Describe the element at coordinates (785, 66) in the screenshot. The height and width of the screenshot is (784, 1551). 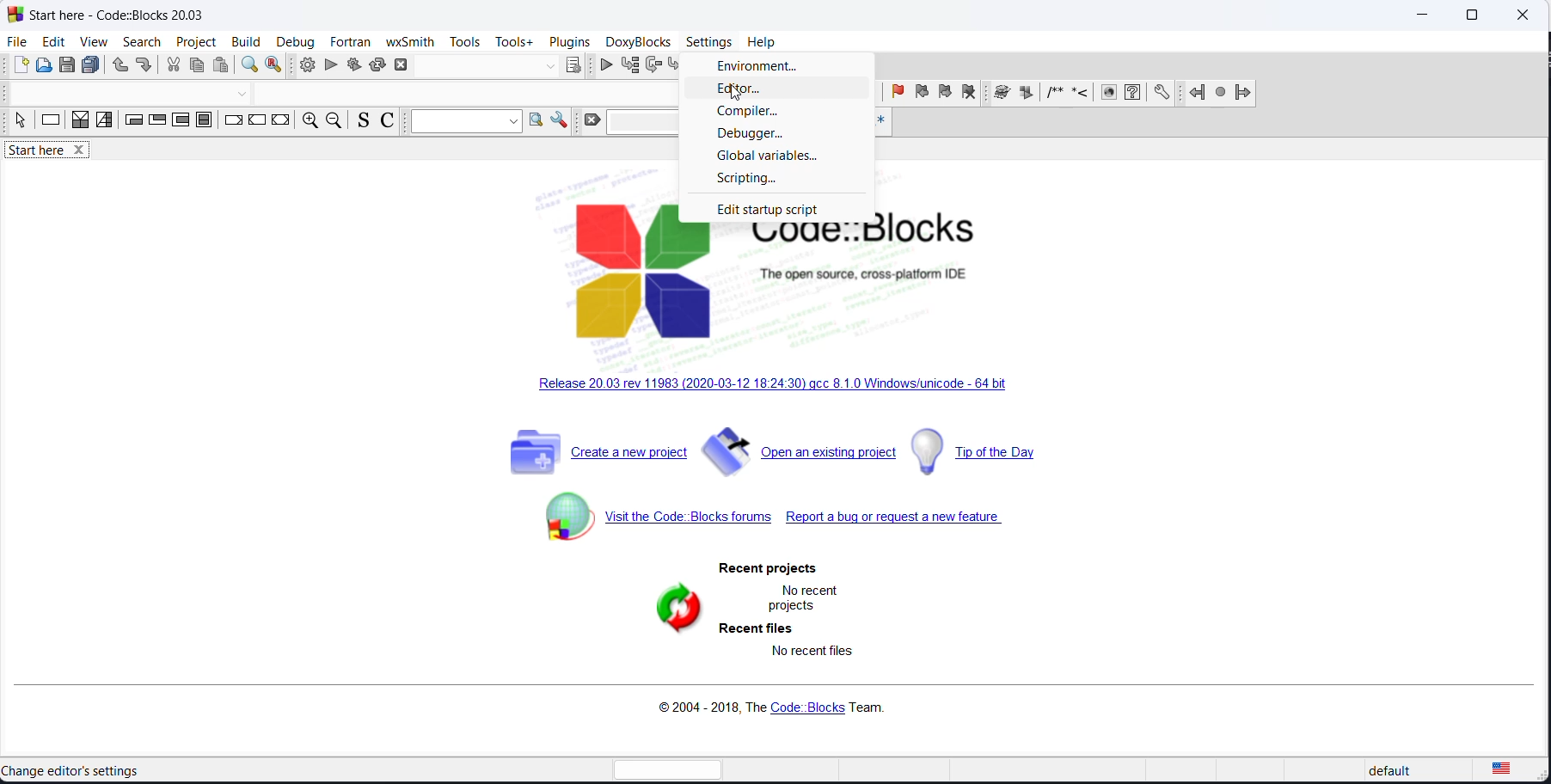
I see `environment` at that location.